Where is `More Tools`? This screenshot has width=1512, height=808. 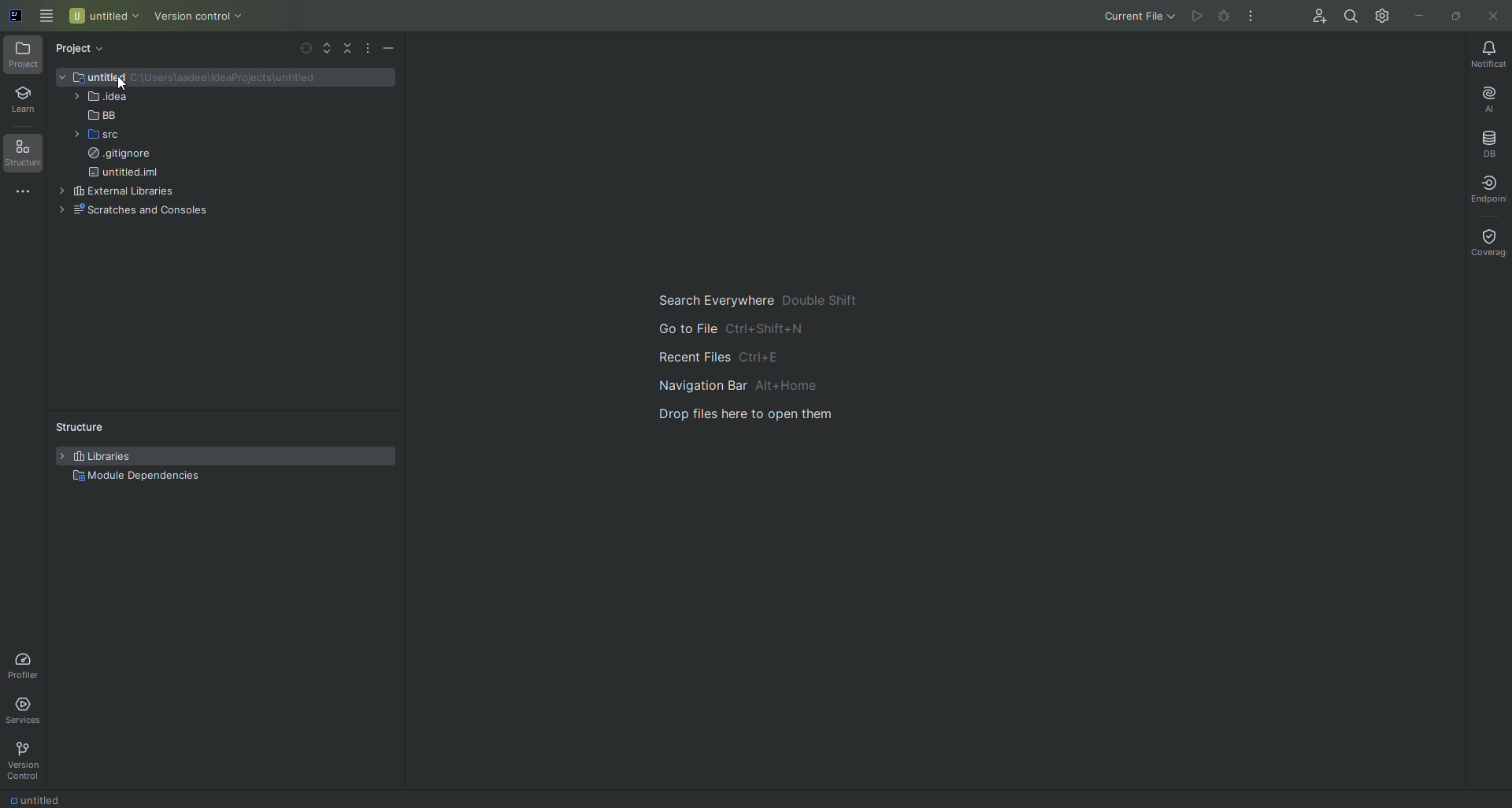 More Tools is located at coordinates (20, 197).